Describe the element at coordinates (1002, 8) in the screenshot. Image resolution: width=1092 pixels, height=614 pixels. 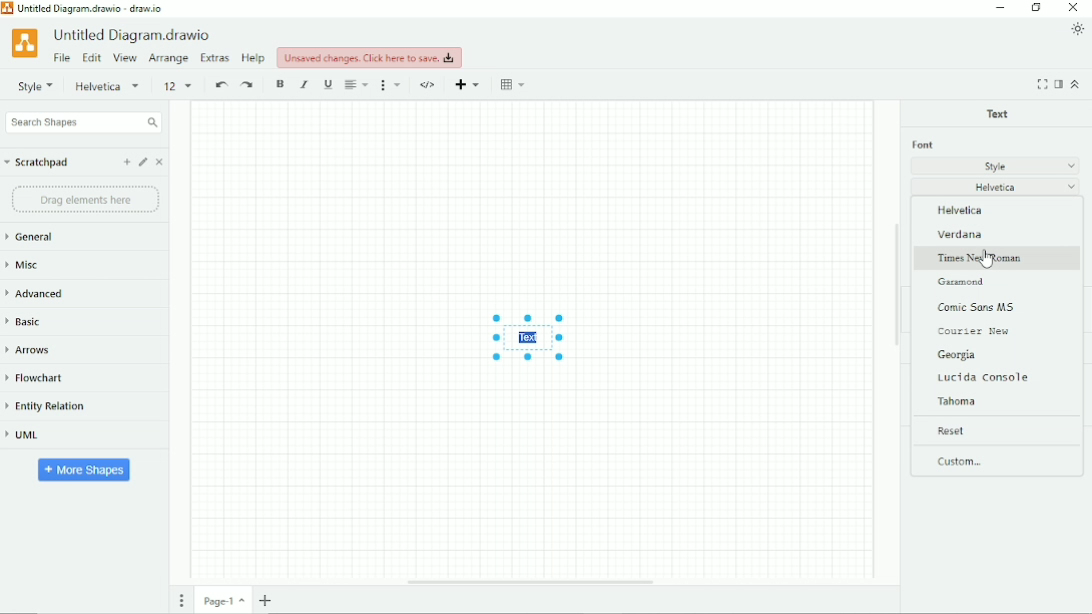
I see `Minimize` at that location.